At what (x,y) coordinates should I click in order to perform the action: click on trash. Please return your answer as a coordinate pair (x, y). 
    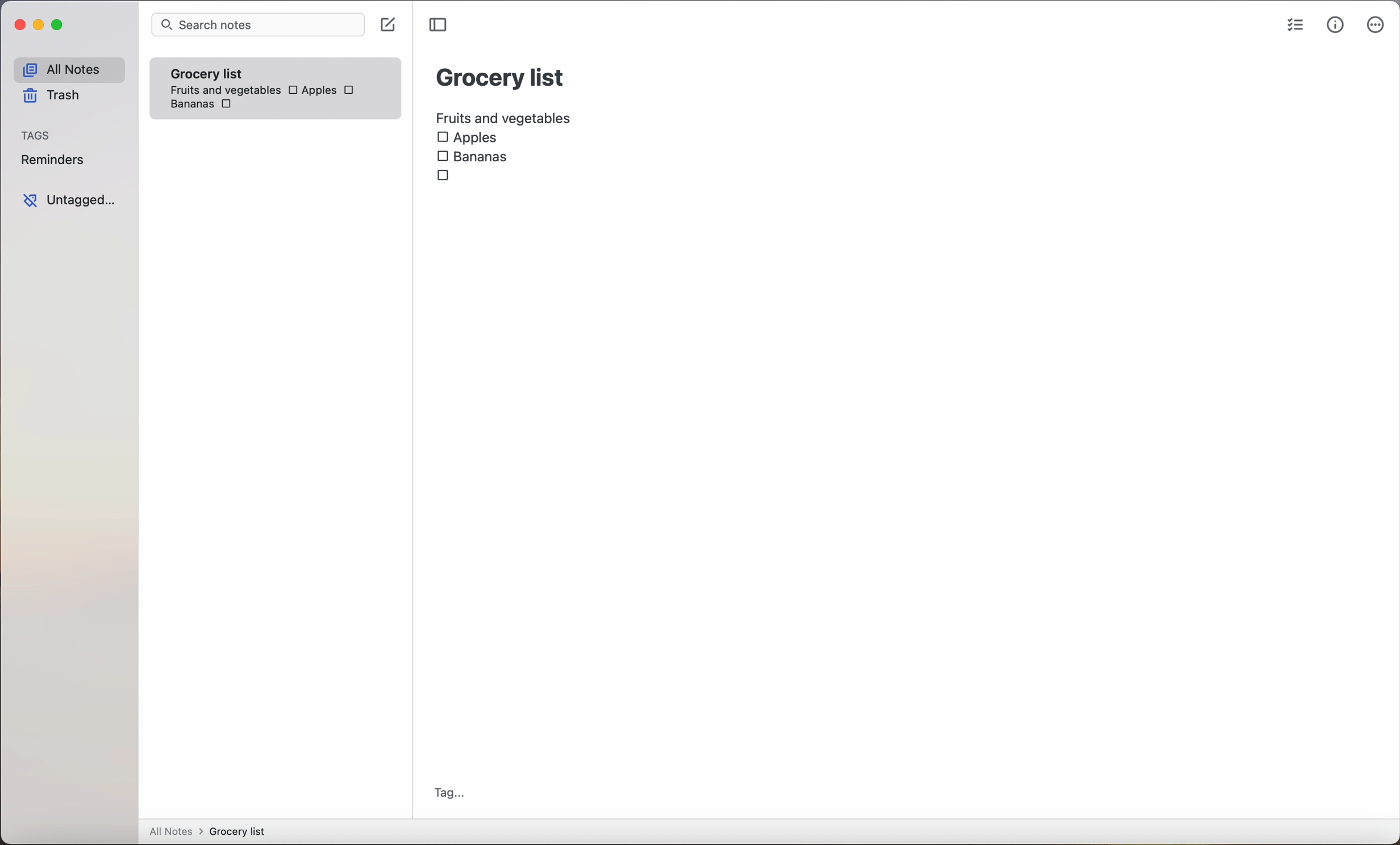
    Looking at the image, I should click on (50, 98).